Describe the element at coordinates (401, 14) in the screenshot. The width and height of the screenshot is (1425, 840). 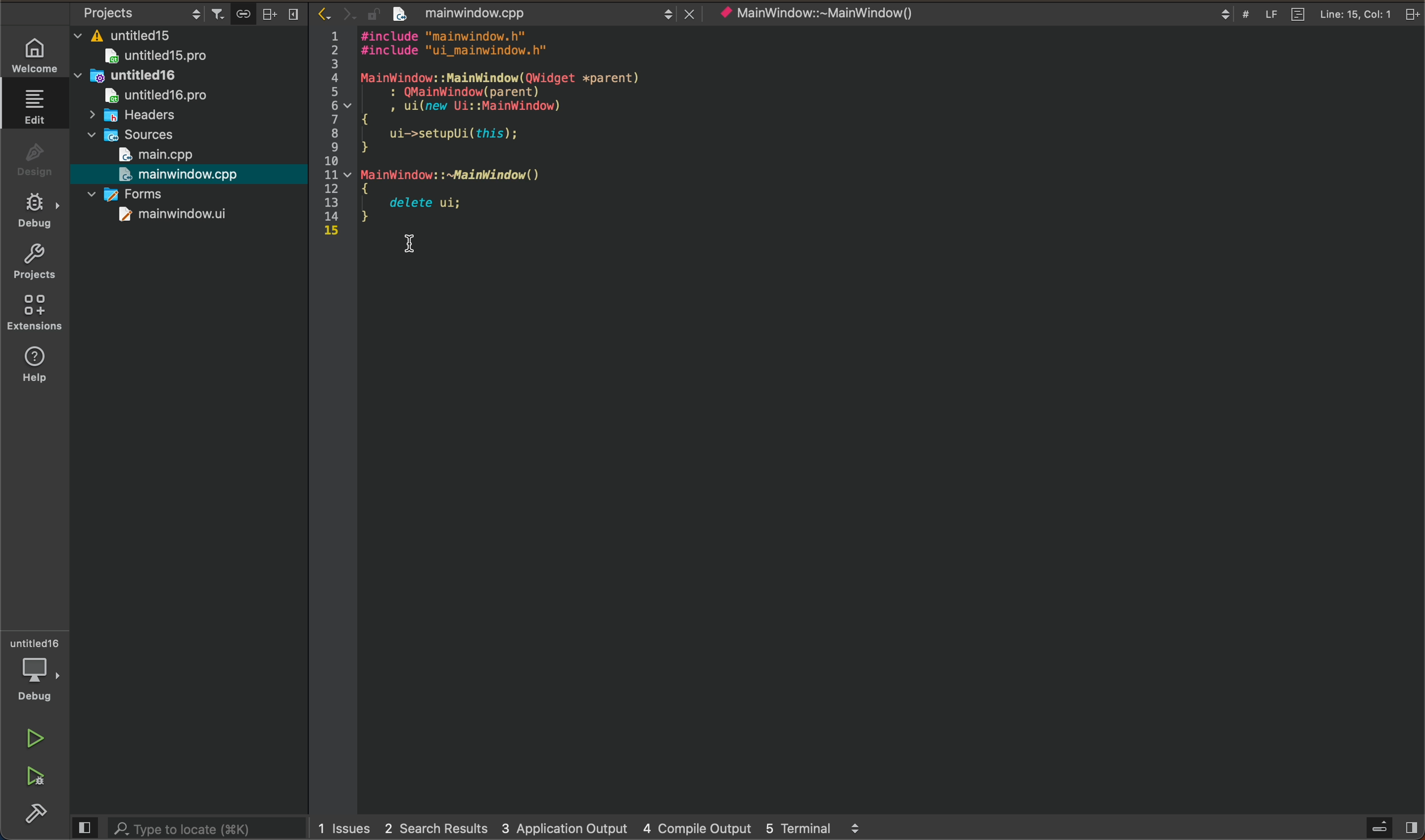
I see `create new project` at that location.